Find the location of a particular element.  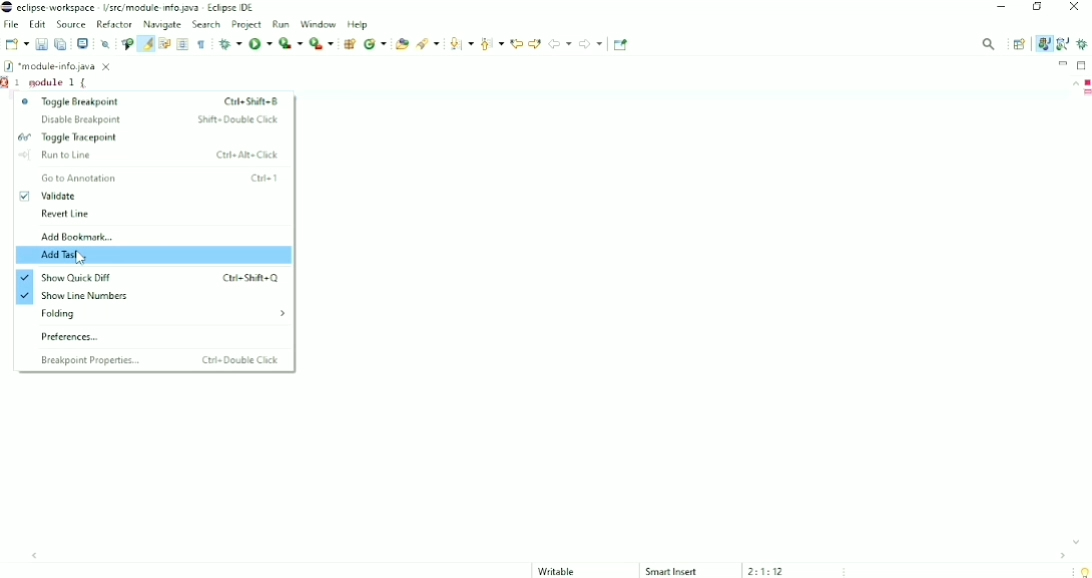

Skip All Breakpoints is located at coordinates (103, 44).